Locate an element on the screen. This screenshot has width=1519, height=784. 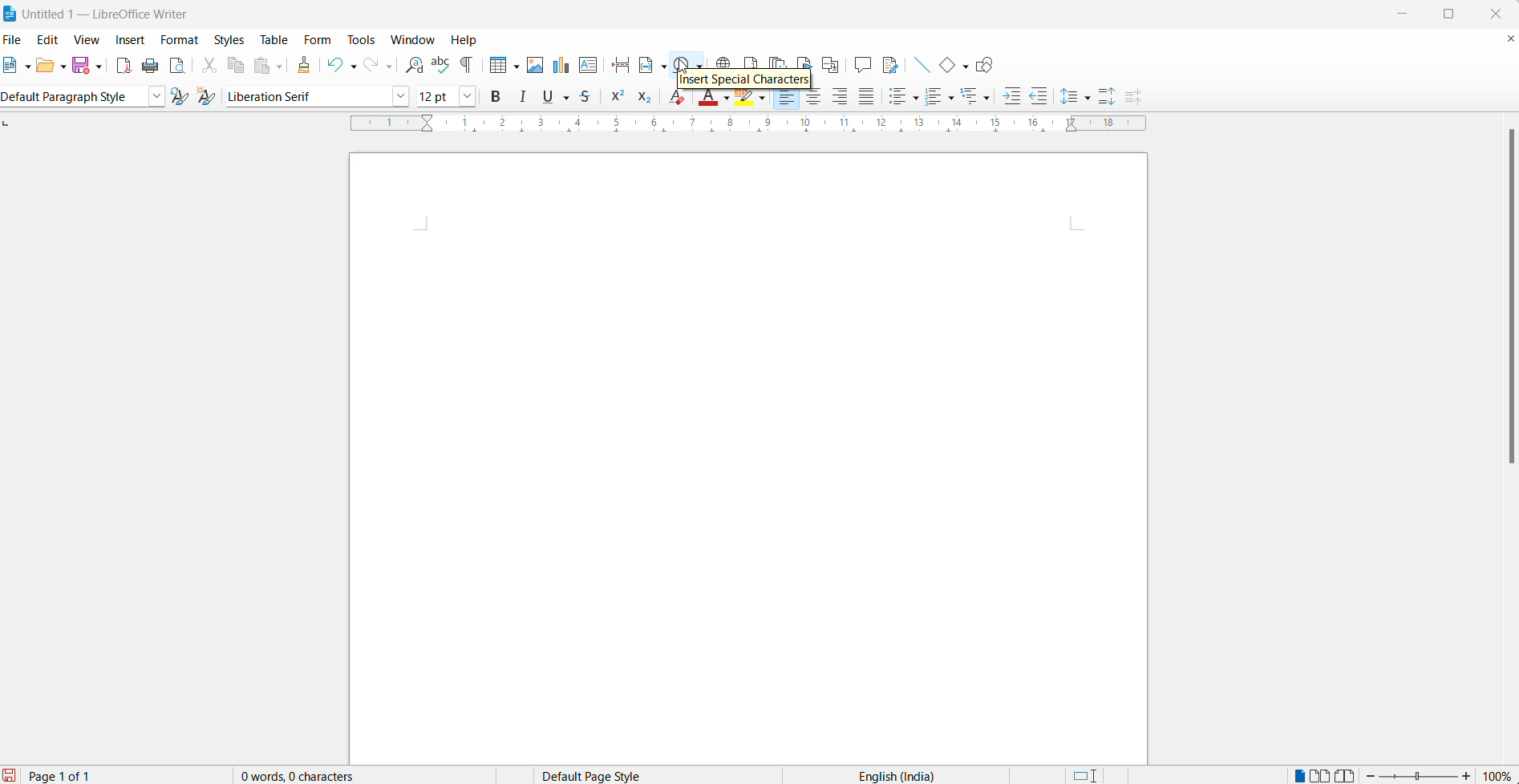
decrease indent is located at coordinates (1042, 95).